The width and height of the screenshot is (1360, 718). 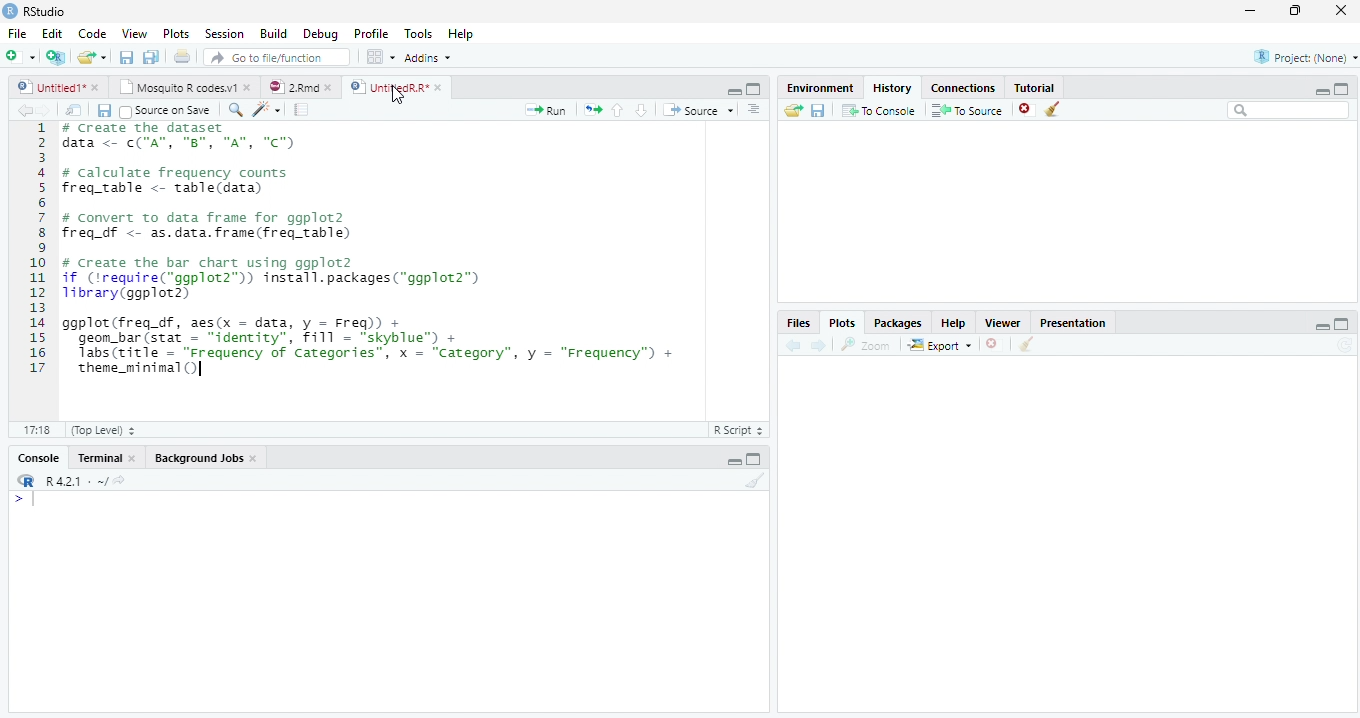 What do you see at coordinates (300, 89) in the screenshot?
I see `2.Rmd` at bounding box center [300, 89].